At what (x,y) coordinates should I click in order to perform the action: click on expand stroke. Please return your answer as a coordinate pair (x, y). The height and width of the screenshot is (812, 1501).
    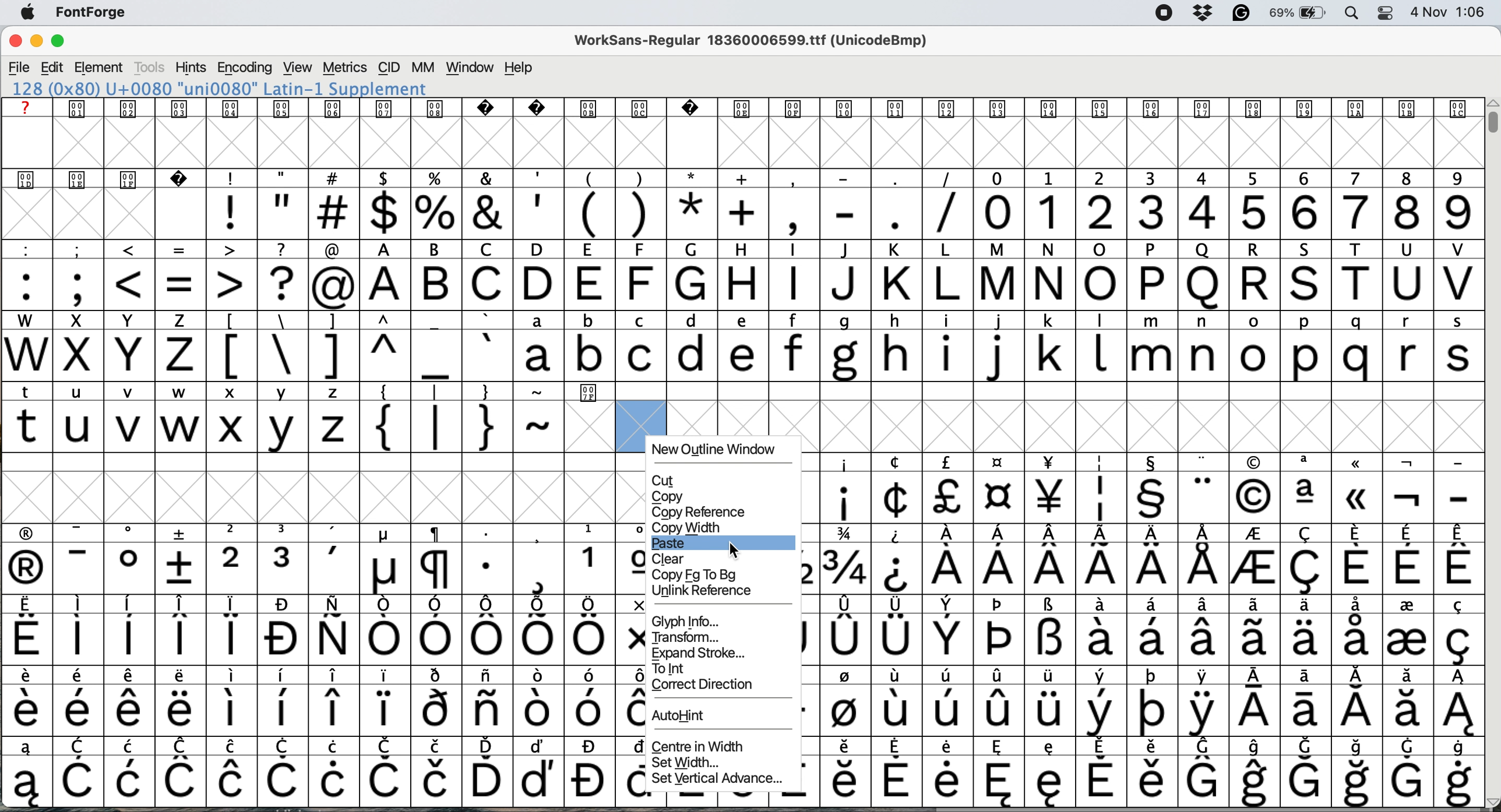
    Looking at the image, I should click on (702, 653).